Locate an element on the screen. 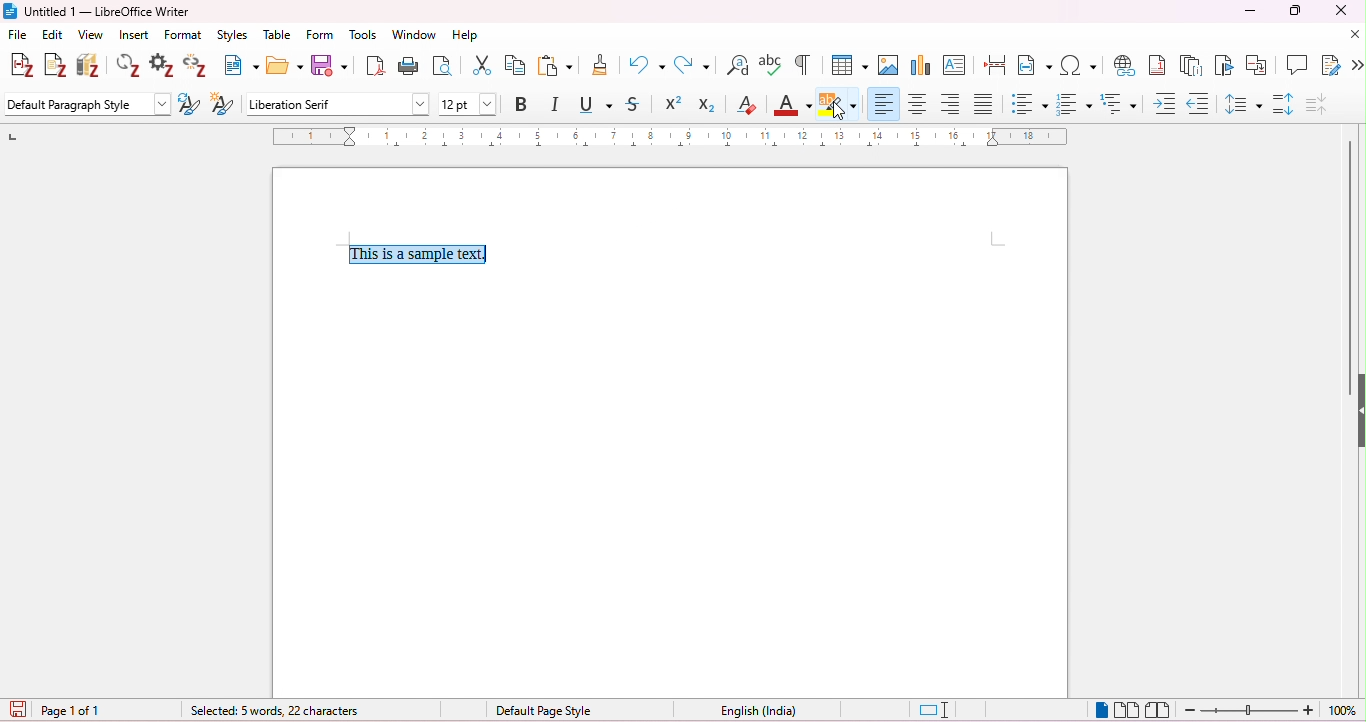  font size is located at coordinates (469, 104).